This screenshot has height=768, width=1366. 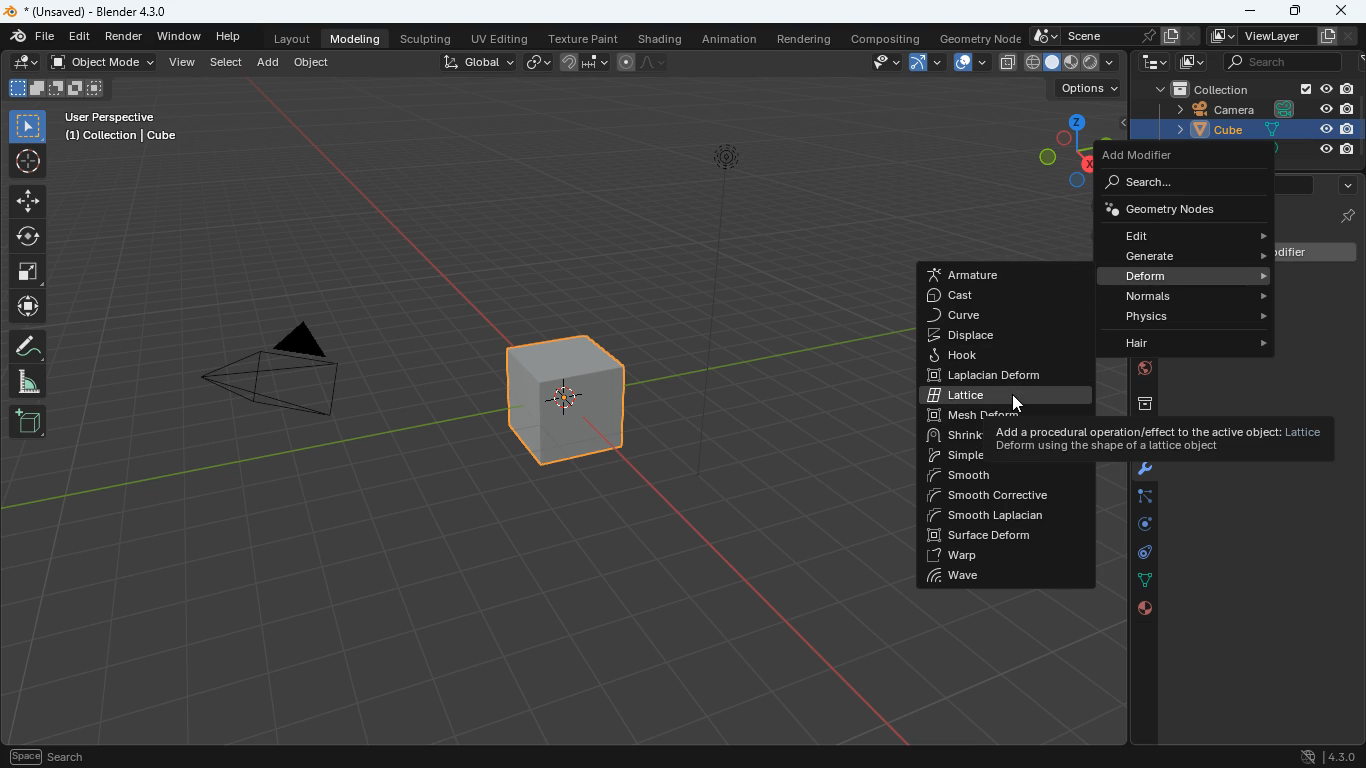 I want to click on arc, so click(x=925, y=65).